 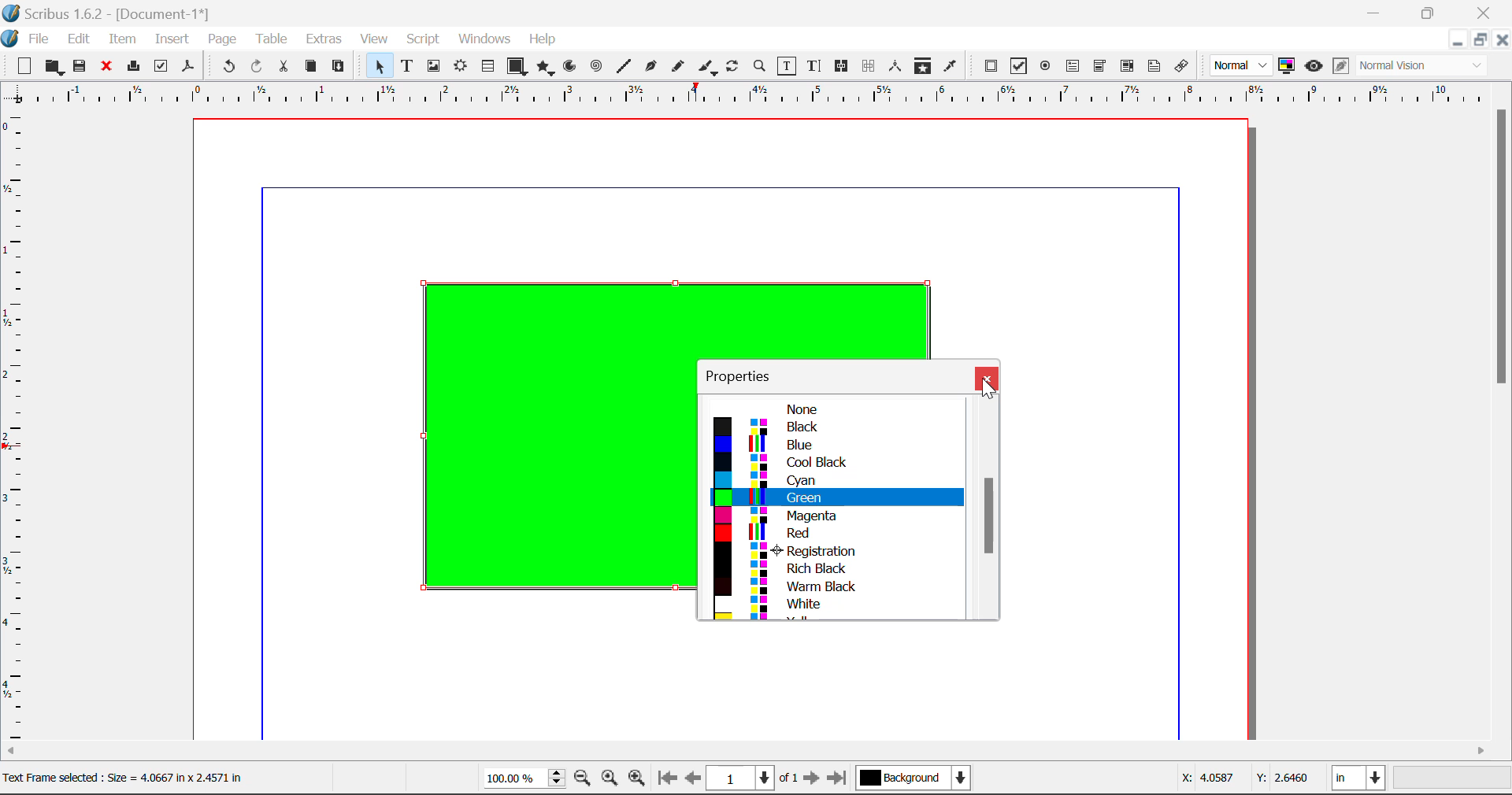 I want to click on Warm Black, so click(x=832, y=586).